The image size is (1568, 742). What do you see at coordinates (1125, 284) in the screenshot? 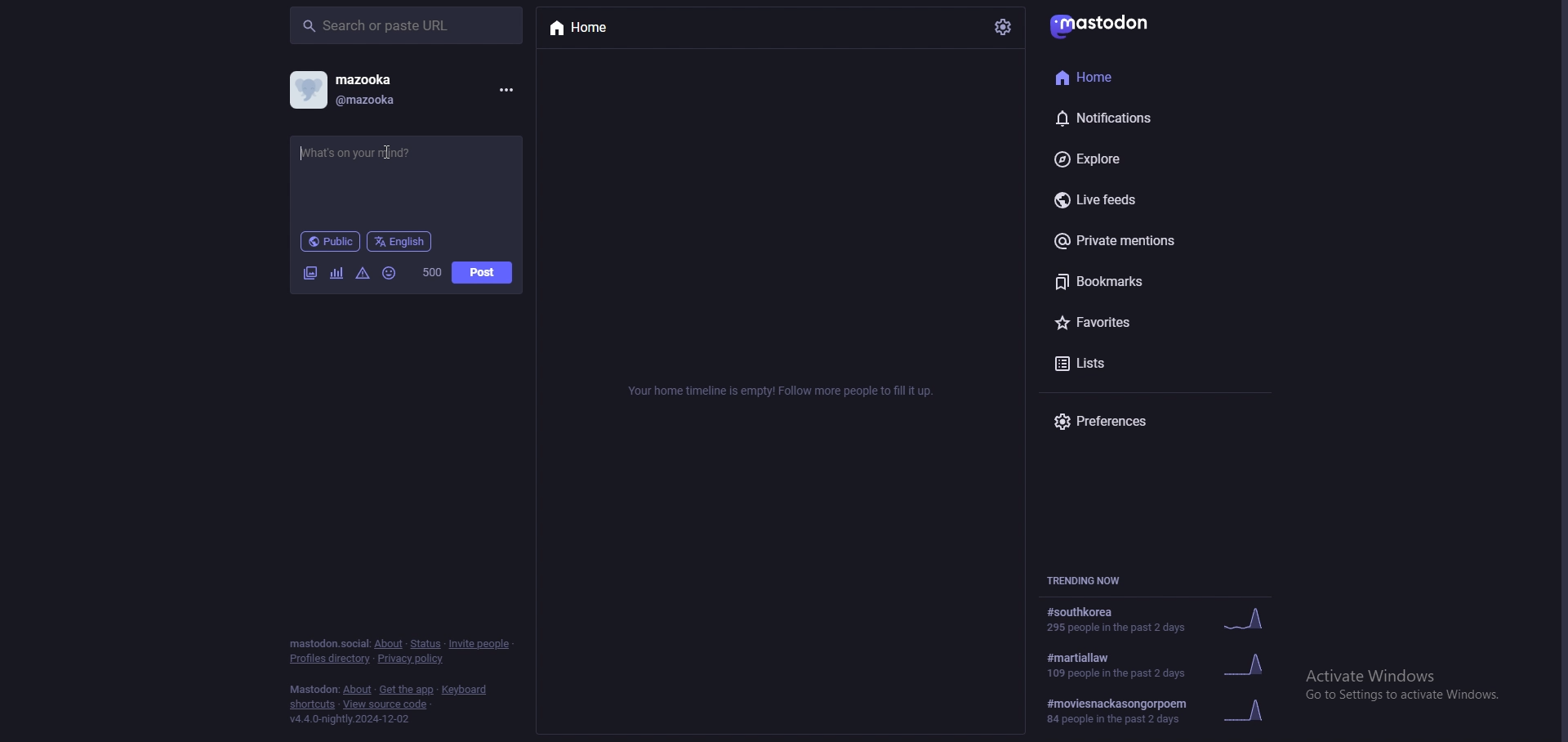
I see `bookmarks` at bounding box center [1125, 284].